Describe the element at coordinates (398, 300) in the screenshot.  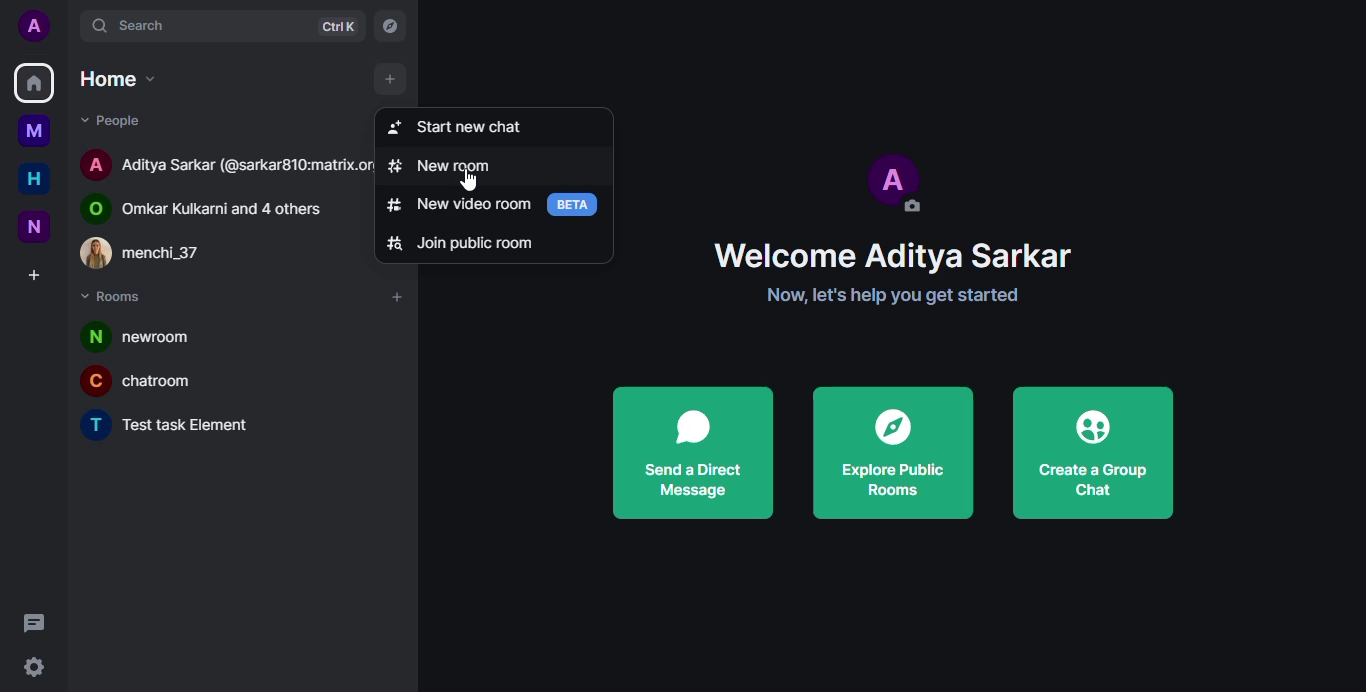
I see `add` at that location.